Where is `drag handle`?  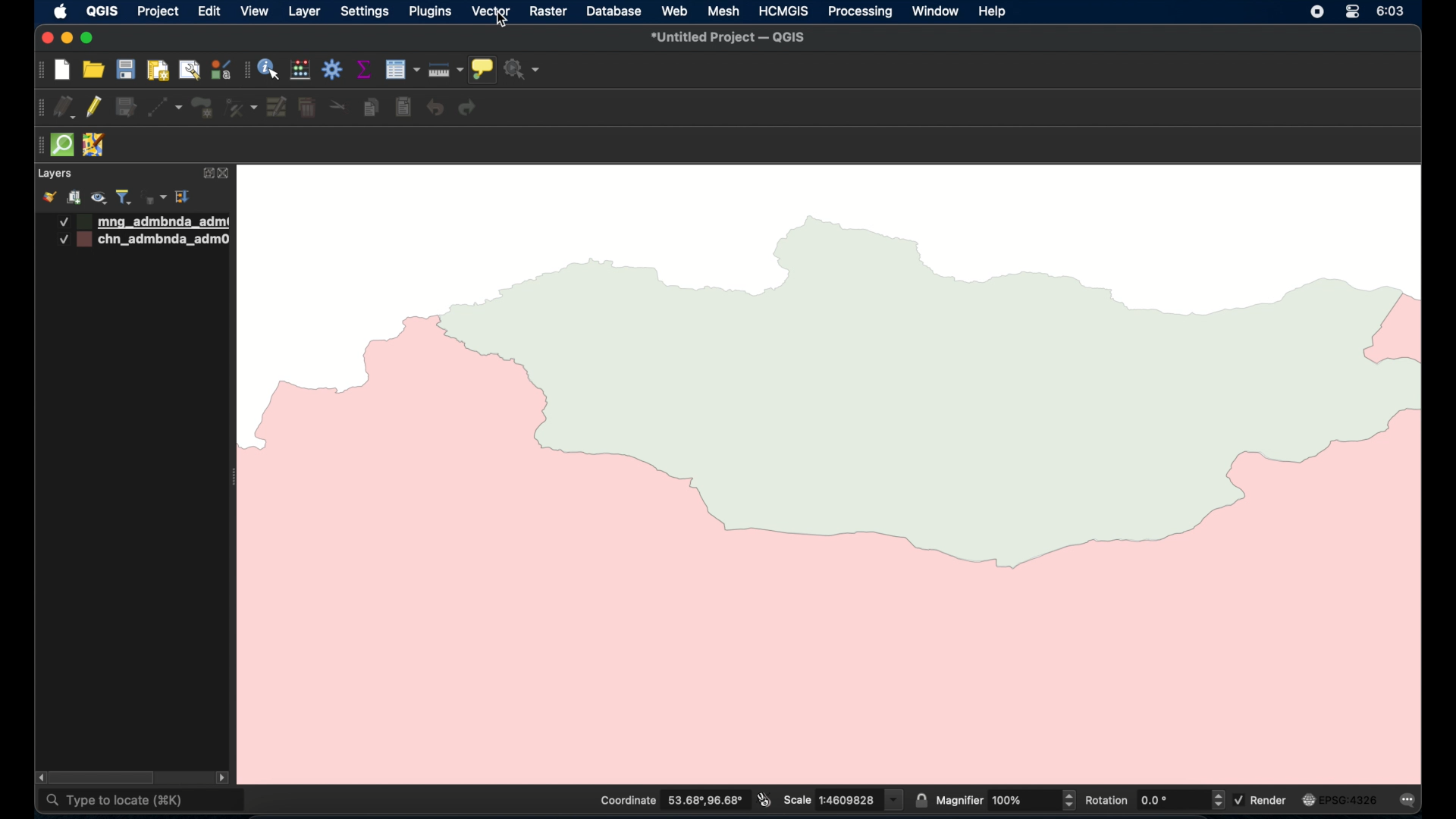 drag handle is located at coordinates (37, 146).